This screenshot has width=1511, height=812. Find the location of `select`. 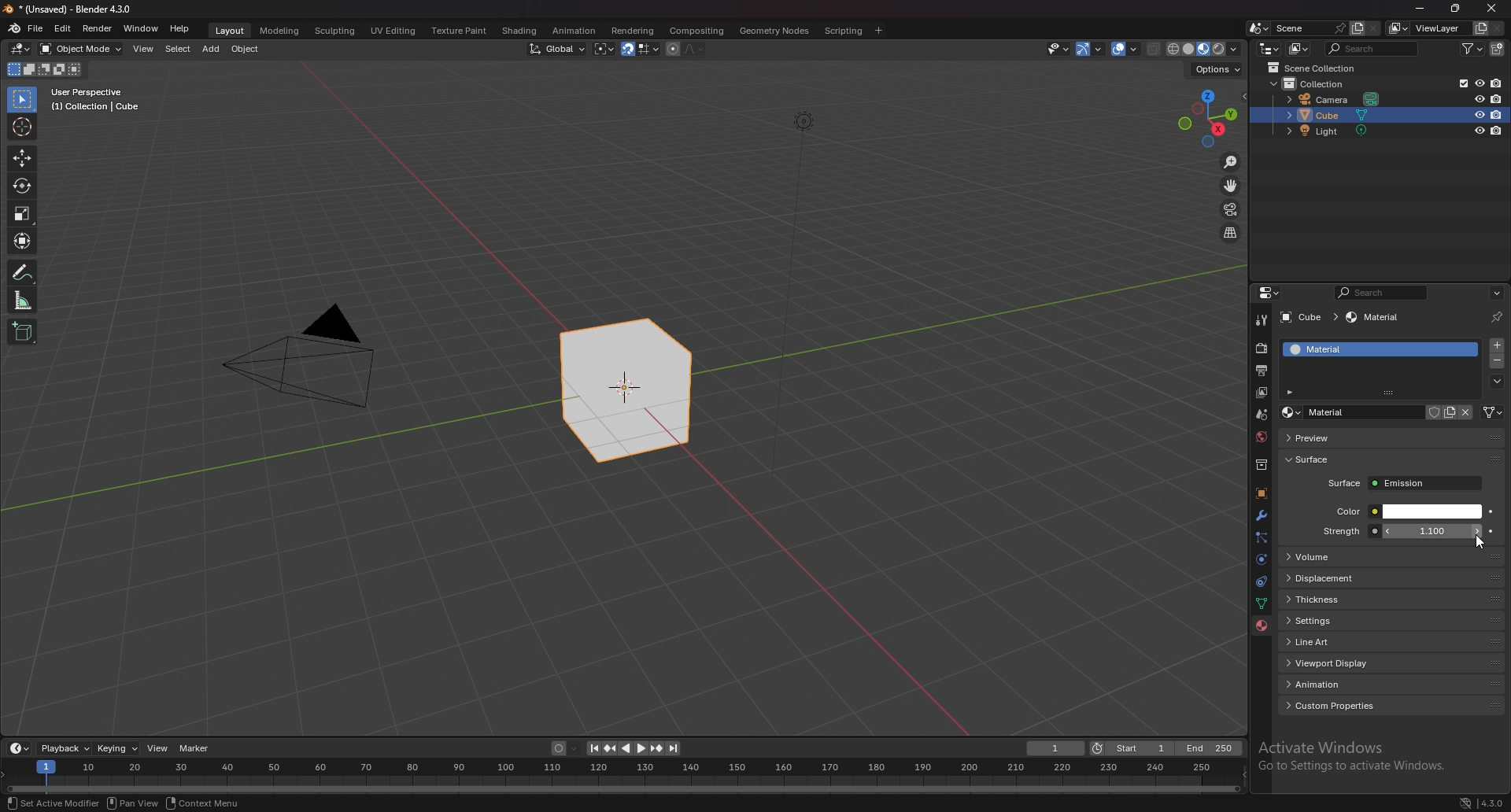

select is located at coordinates (178, 50).